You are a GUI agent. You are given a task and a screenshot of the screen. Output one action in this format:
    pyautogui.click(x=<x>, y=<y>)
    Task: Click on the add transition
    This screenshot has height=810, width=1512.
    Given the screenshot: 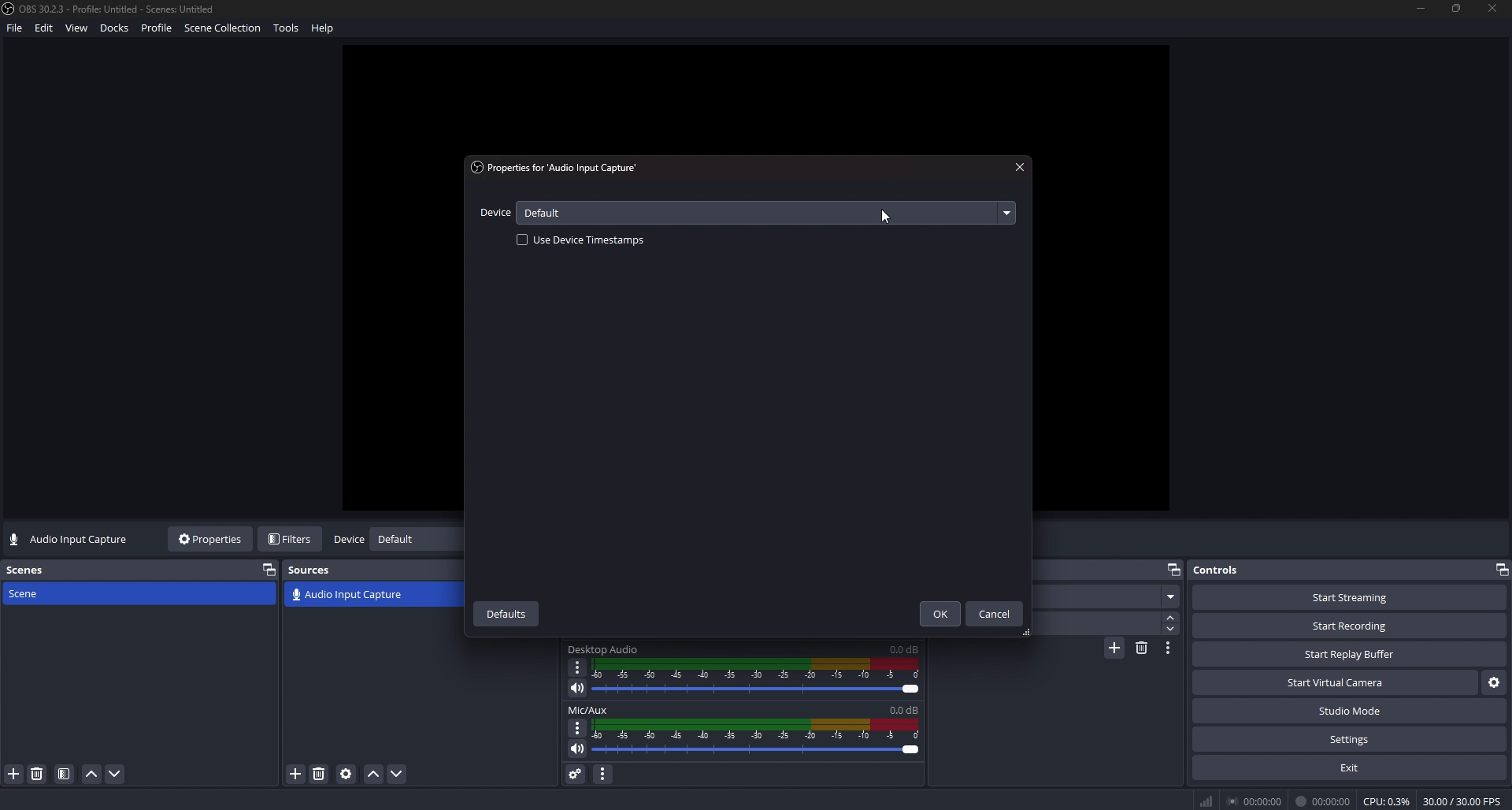 What is the action you would take?
    pyautogui.click(x=1114, y=650)
    